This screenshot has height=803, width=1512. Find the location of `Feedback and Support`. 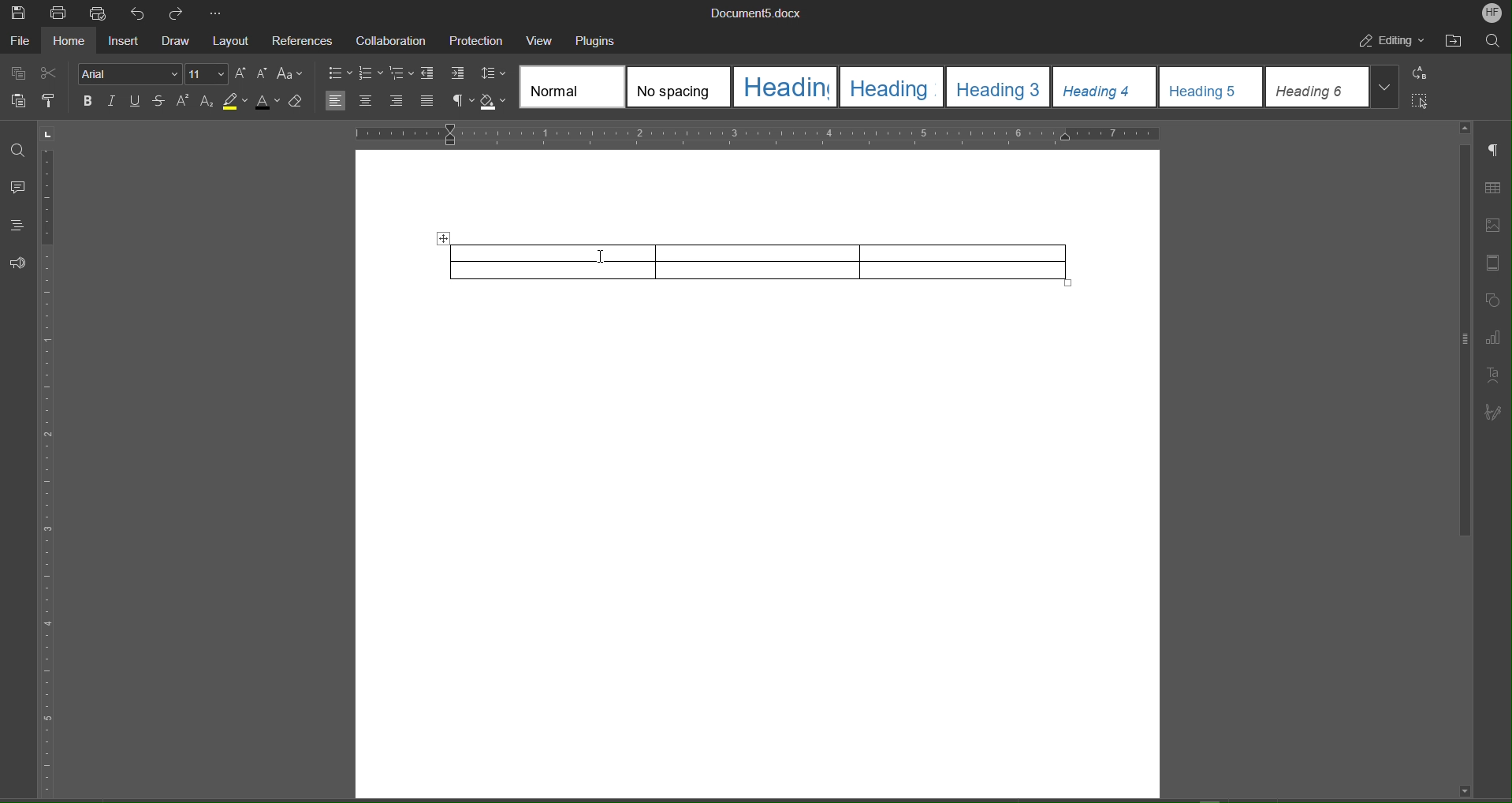

Feedback and Support is located at coordinates (18, 263).